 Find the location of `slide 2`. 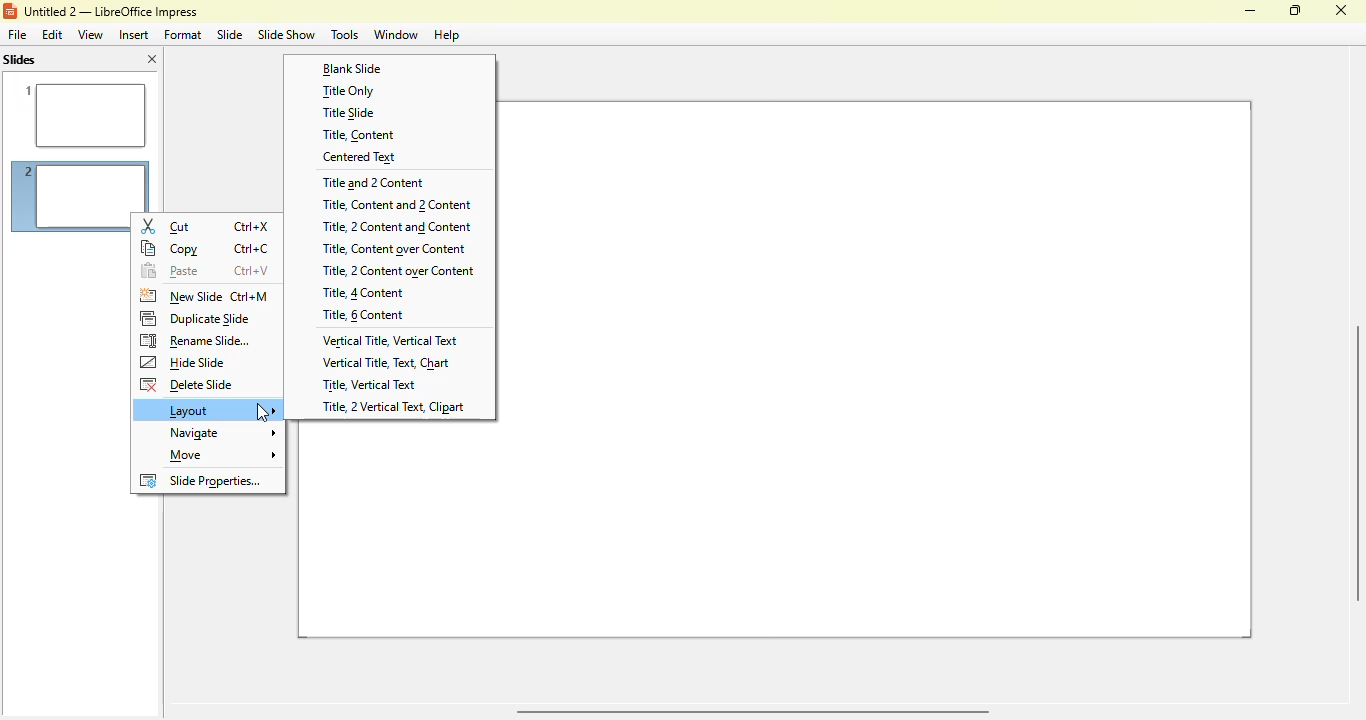

slide 2 is located at coordinates (81, 186).